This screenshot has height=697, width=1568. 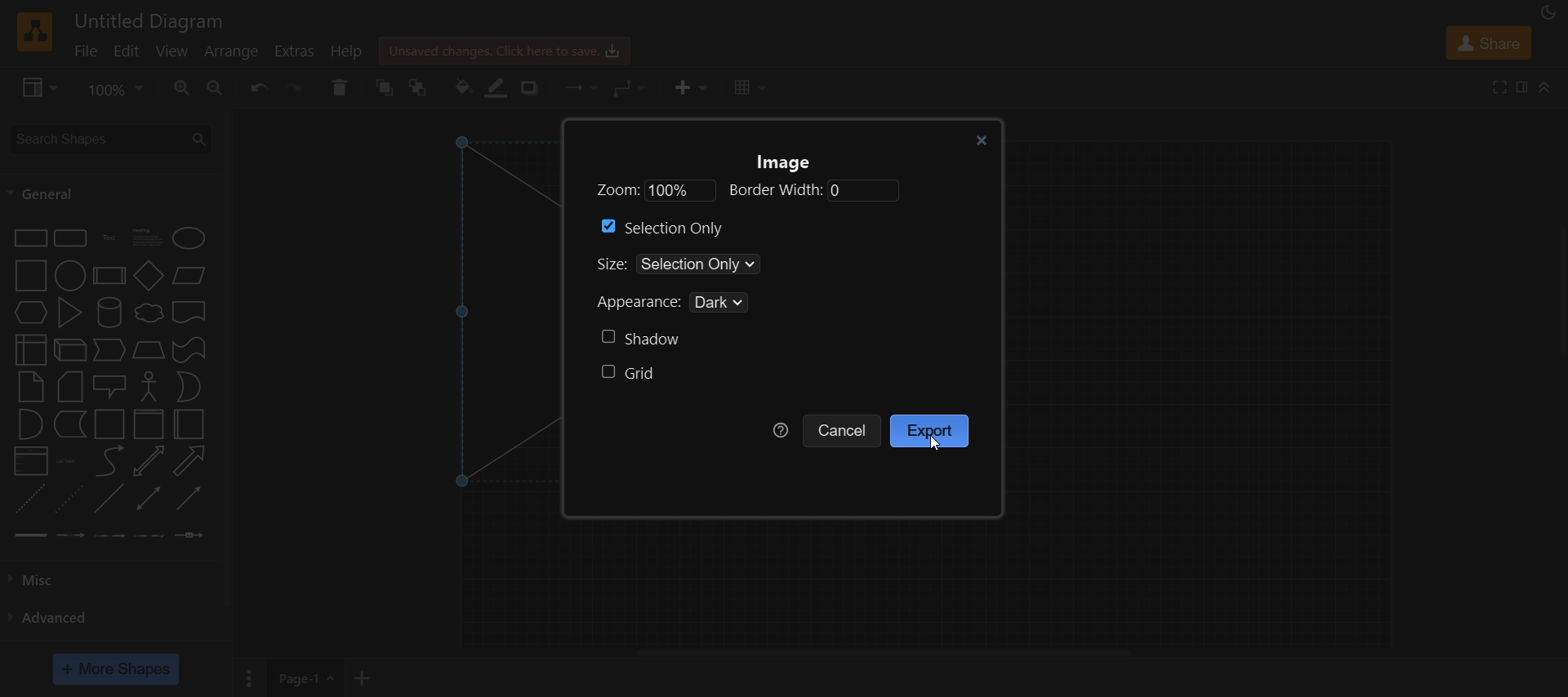 What do you see at coordinates (844, 430) in the screenshot?
I see `cancle` at bounding box center [844, 430].